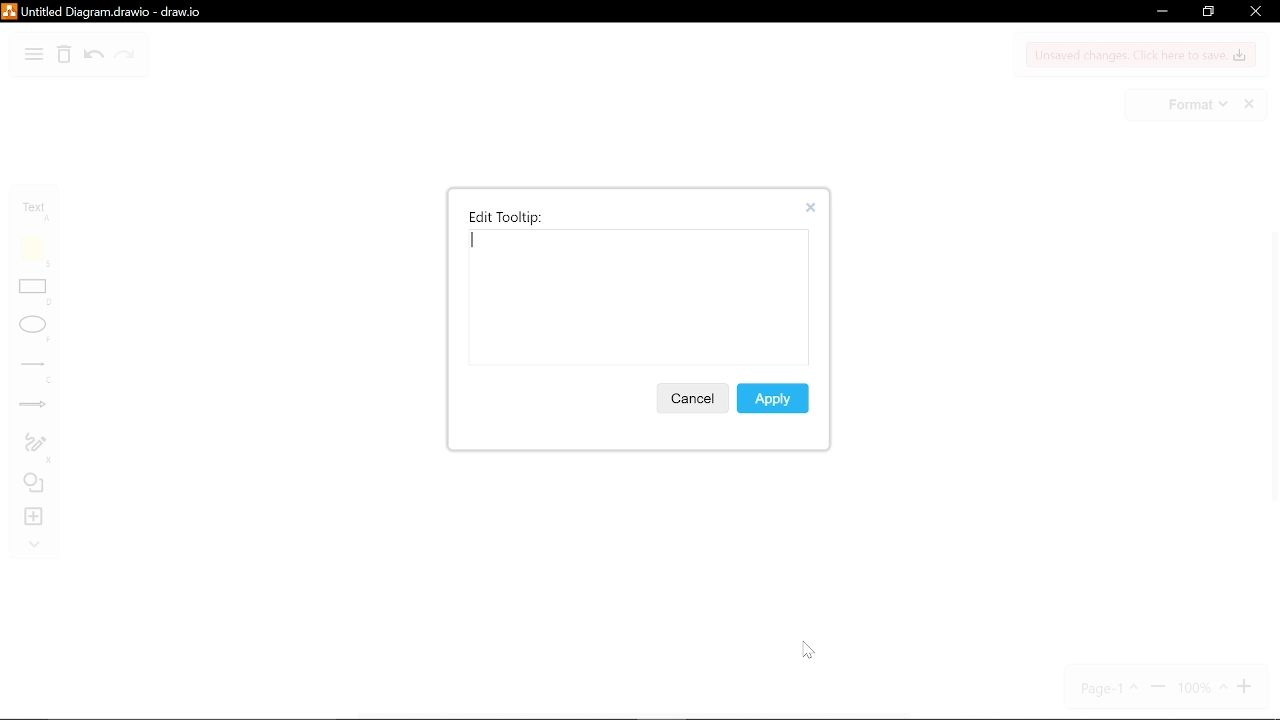 This screenshot has width=1280, height=720. Describe the element at coordinates (37, 251) in the screenshot. I see `note` at that location.